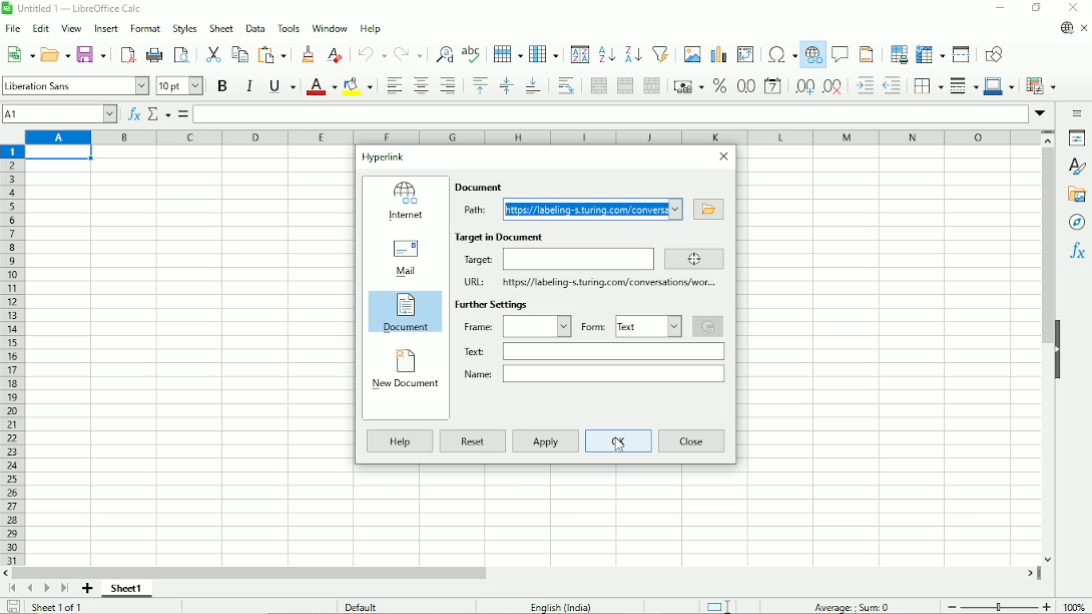  I want to click on Borders, so click(928, 87).